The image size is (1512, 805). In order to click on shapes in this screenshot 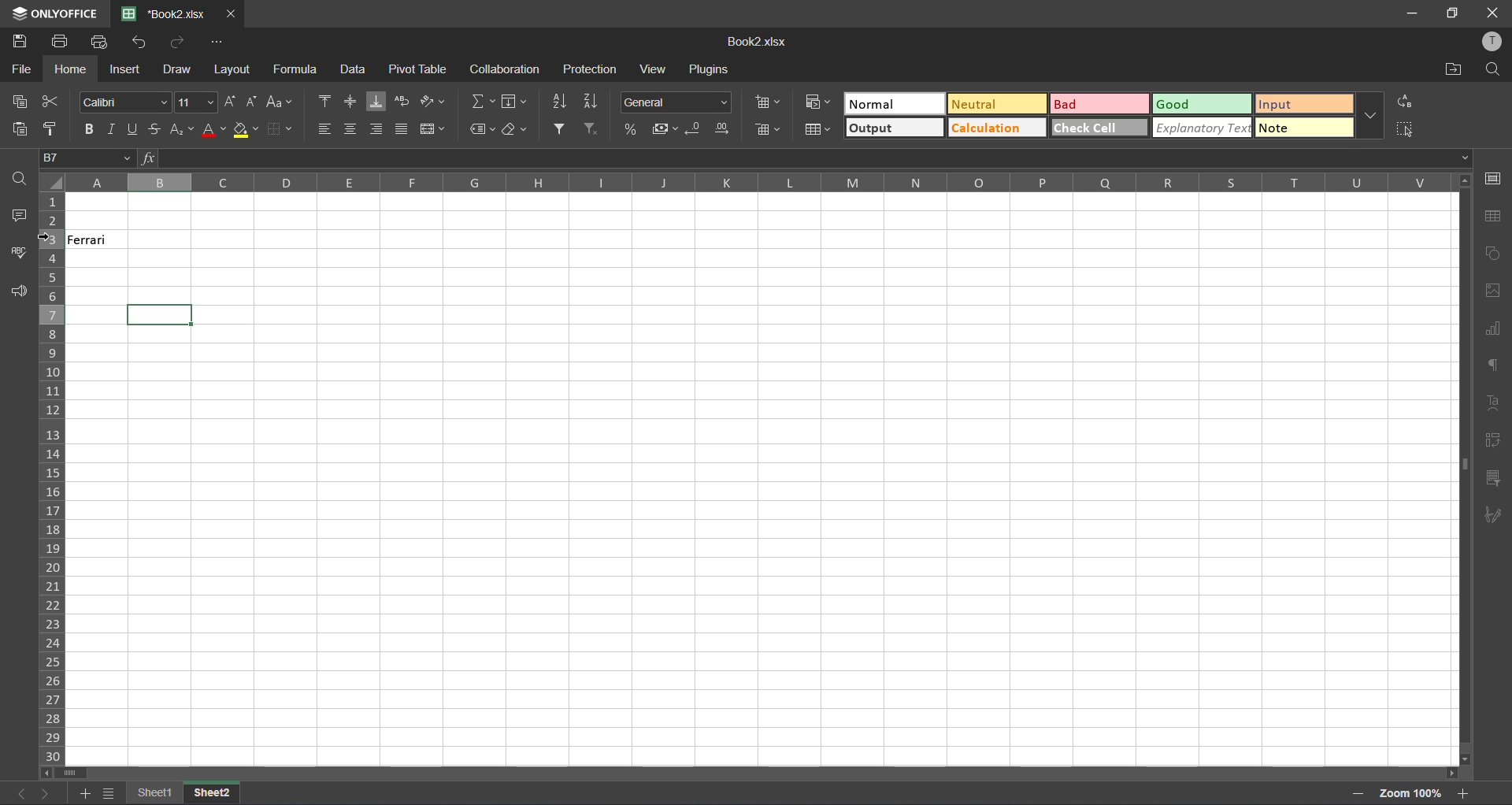, I will do `click(1495, 253)`.